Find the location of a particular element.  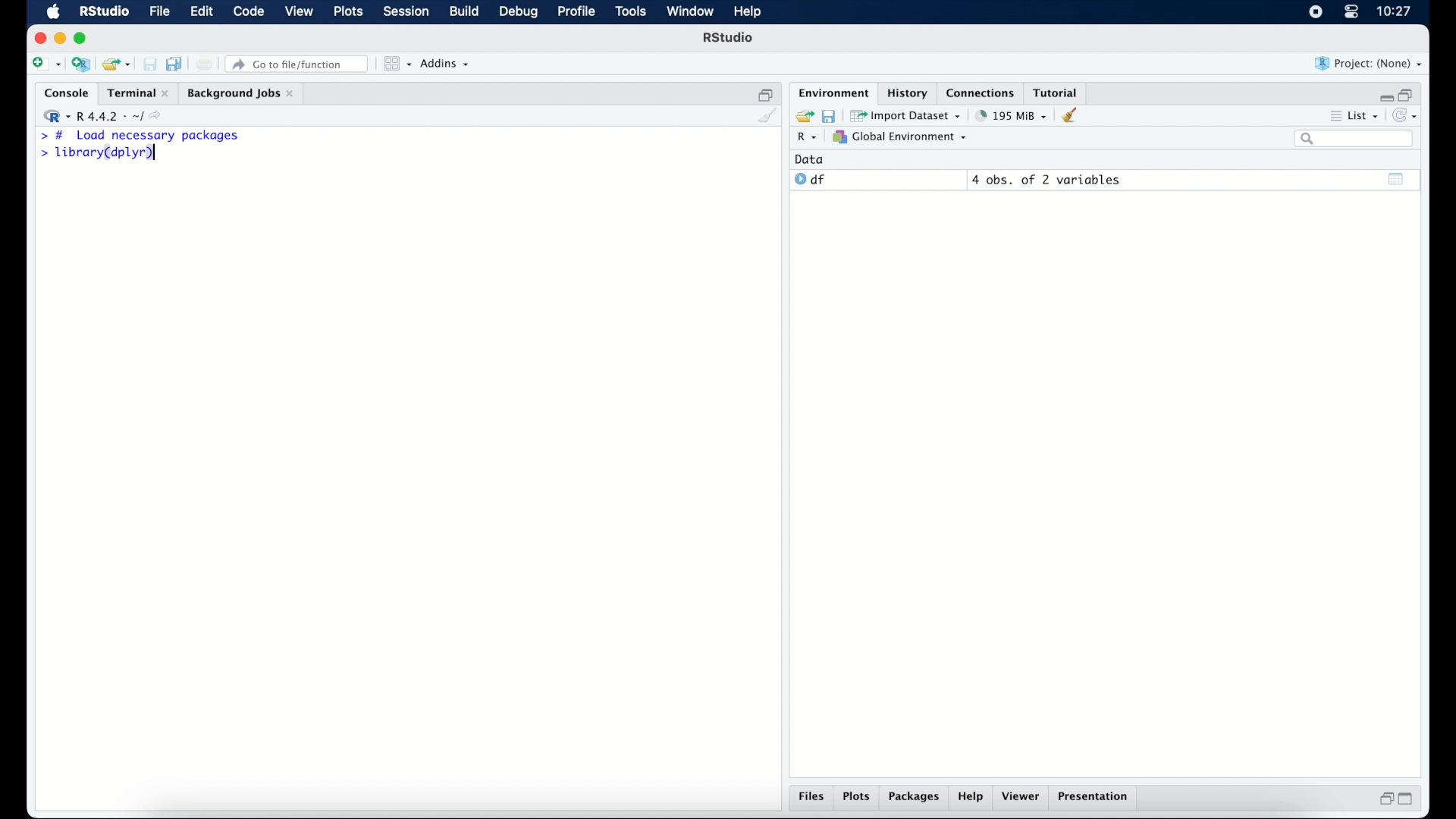

Terminal is located at coordinates (133, 93).